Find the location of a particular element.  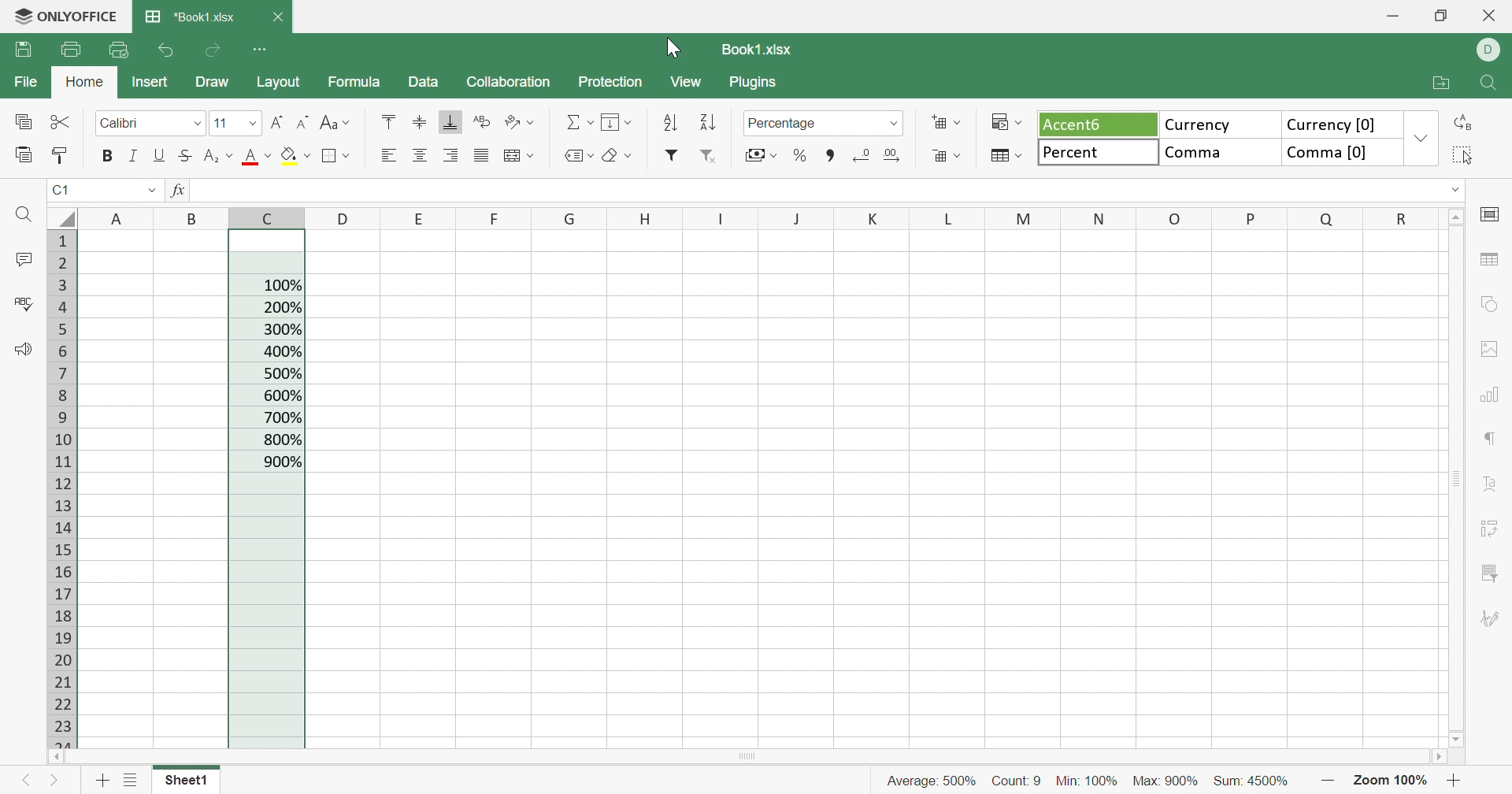

Increase decimals is located at coordinates (892, 155).